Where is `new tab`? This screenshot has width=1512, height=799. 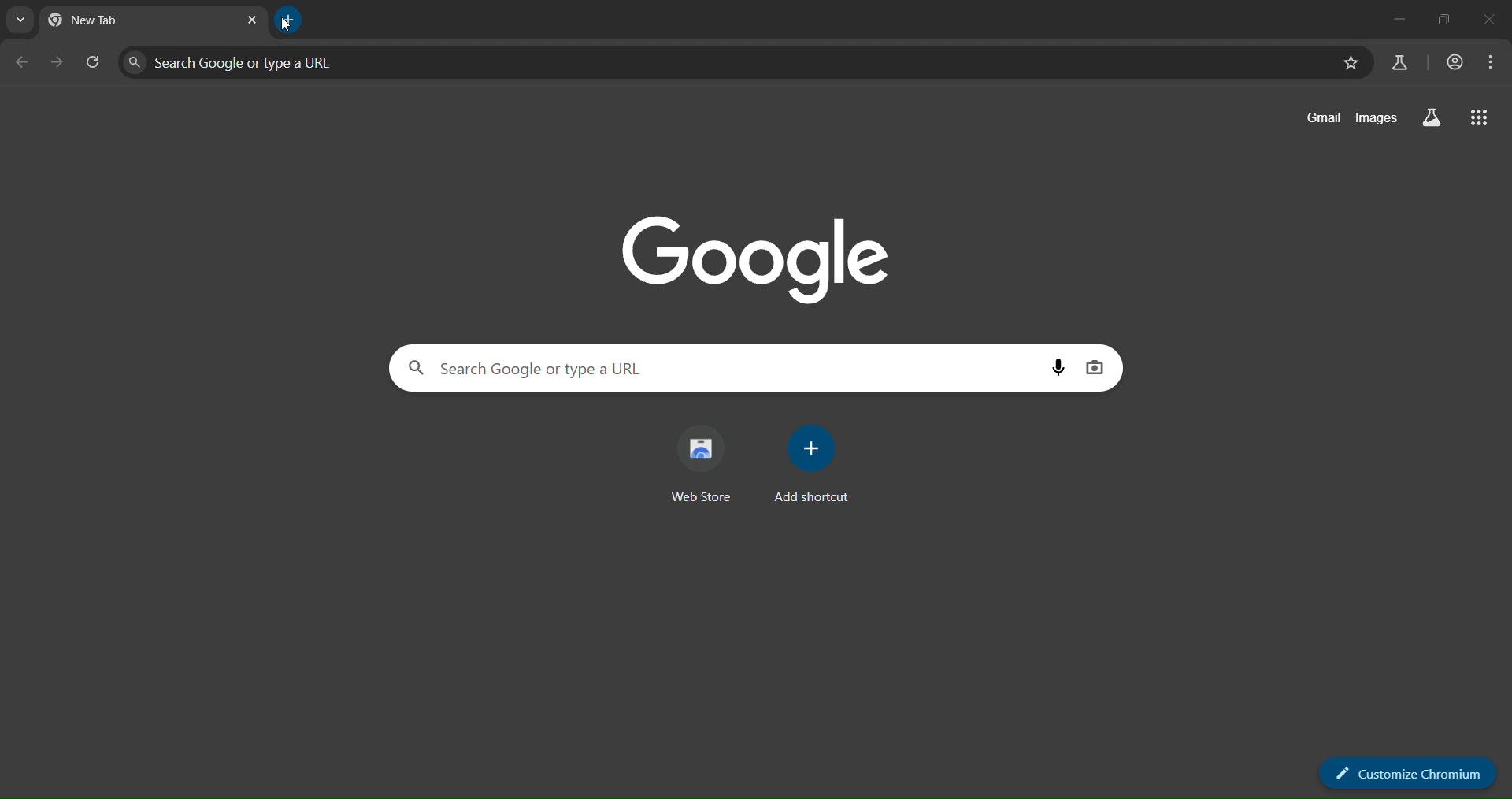
new tab is located at coordinates (287, 20).